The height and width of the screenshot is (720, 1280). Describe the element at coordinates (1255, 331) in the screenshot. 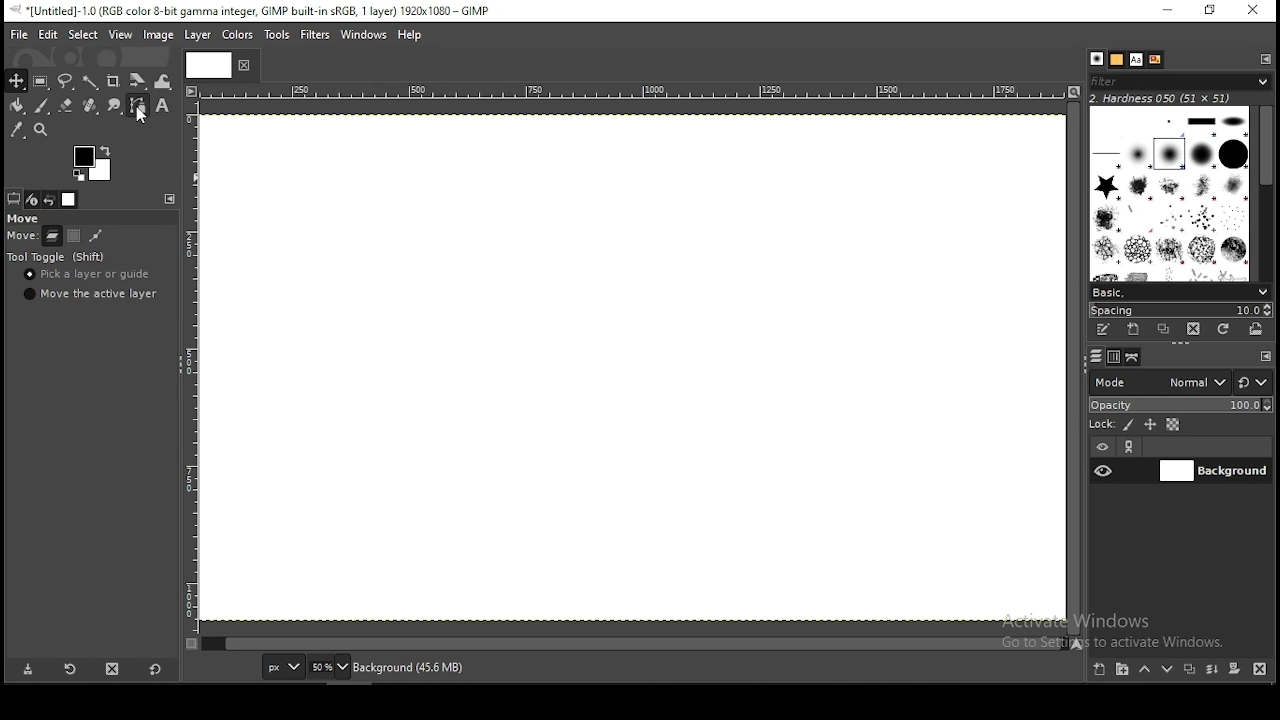

I see `open brush as image` at that location.